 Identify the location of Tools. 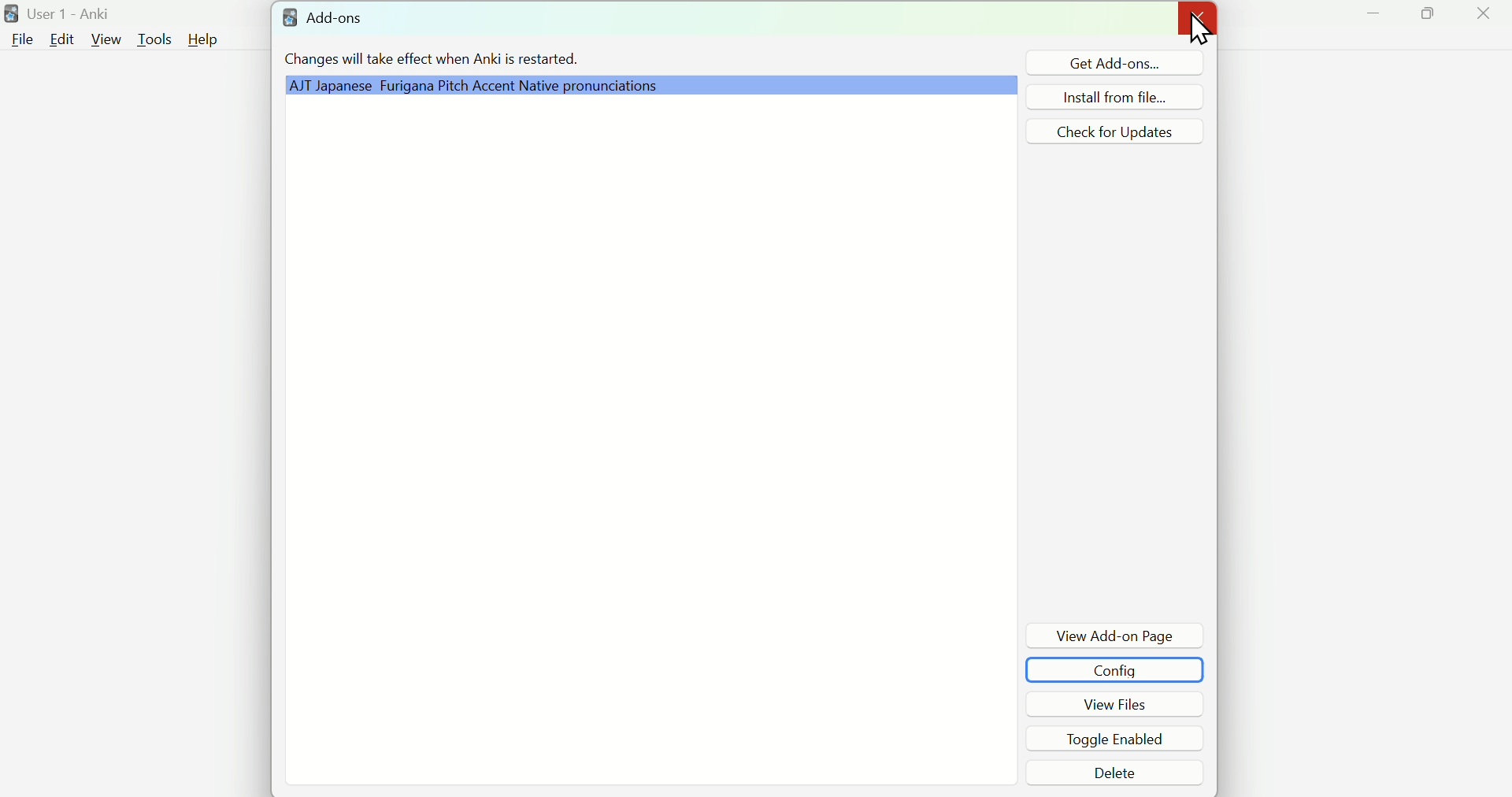
(154, 39).